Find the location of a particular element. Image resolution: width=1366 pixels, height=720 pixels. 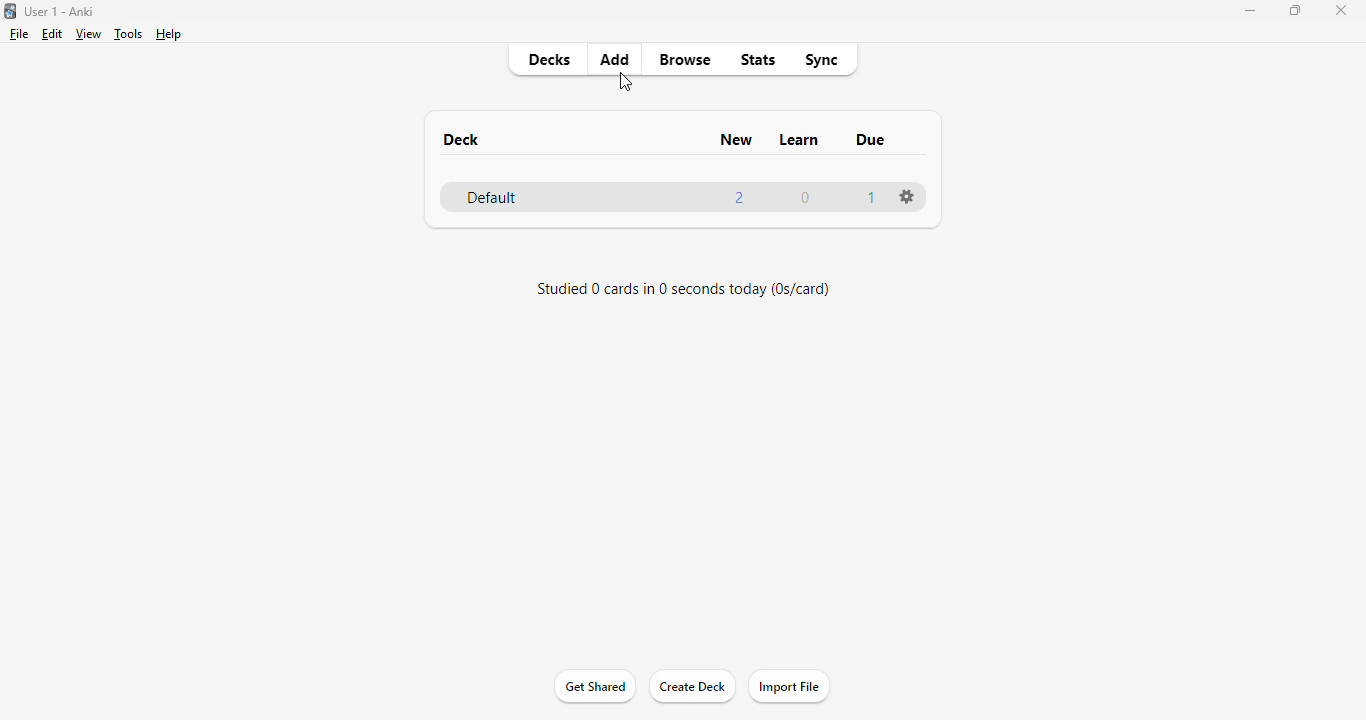

edit is located at coordinates (53, 34).